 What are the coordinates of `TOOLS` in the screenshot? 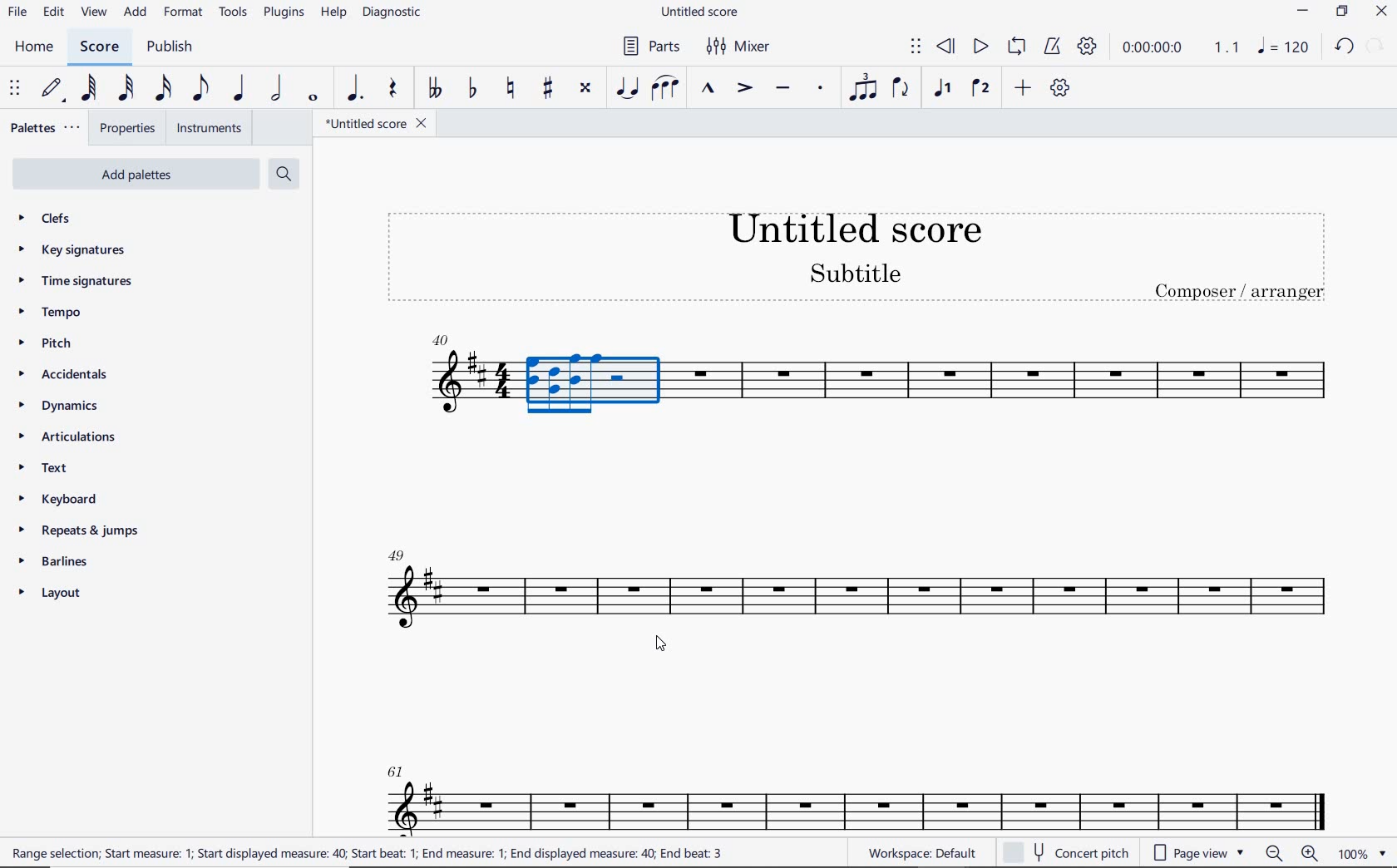 It's located at (234, 15).